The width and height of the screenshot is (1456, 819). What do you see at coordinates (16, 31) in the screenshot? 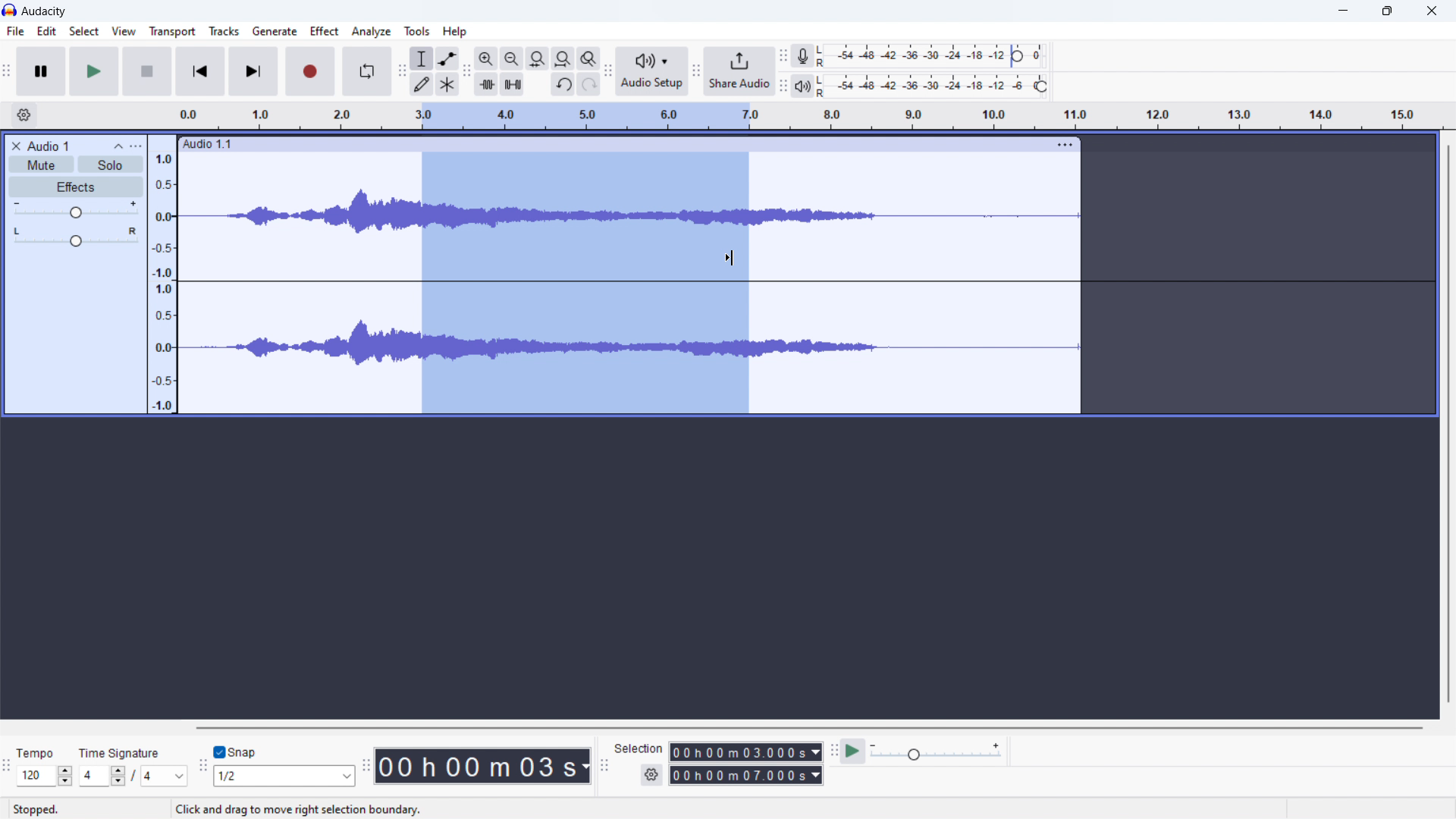
I see `file` at bounding box center [16, 31].